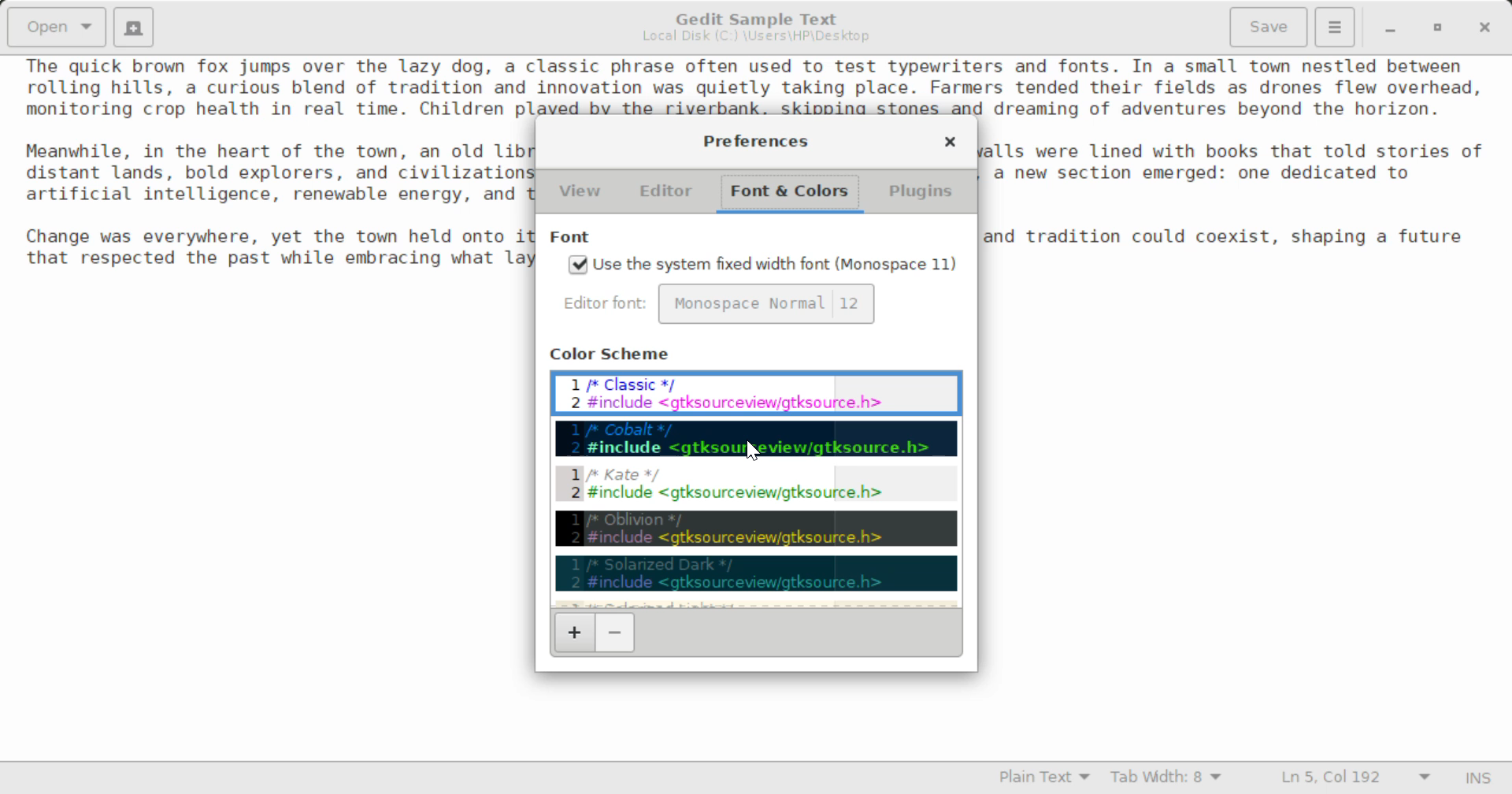 Image resolution: width=1512 pixels, height=794 pixels. Describe the element at coordinates (758, 528) in the screenshot. I see `Oblivion Scheme` at that location.